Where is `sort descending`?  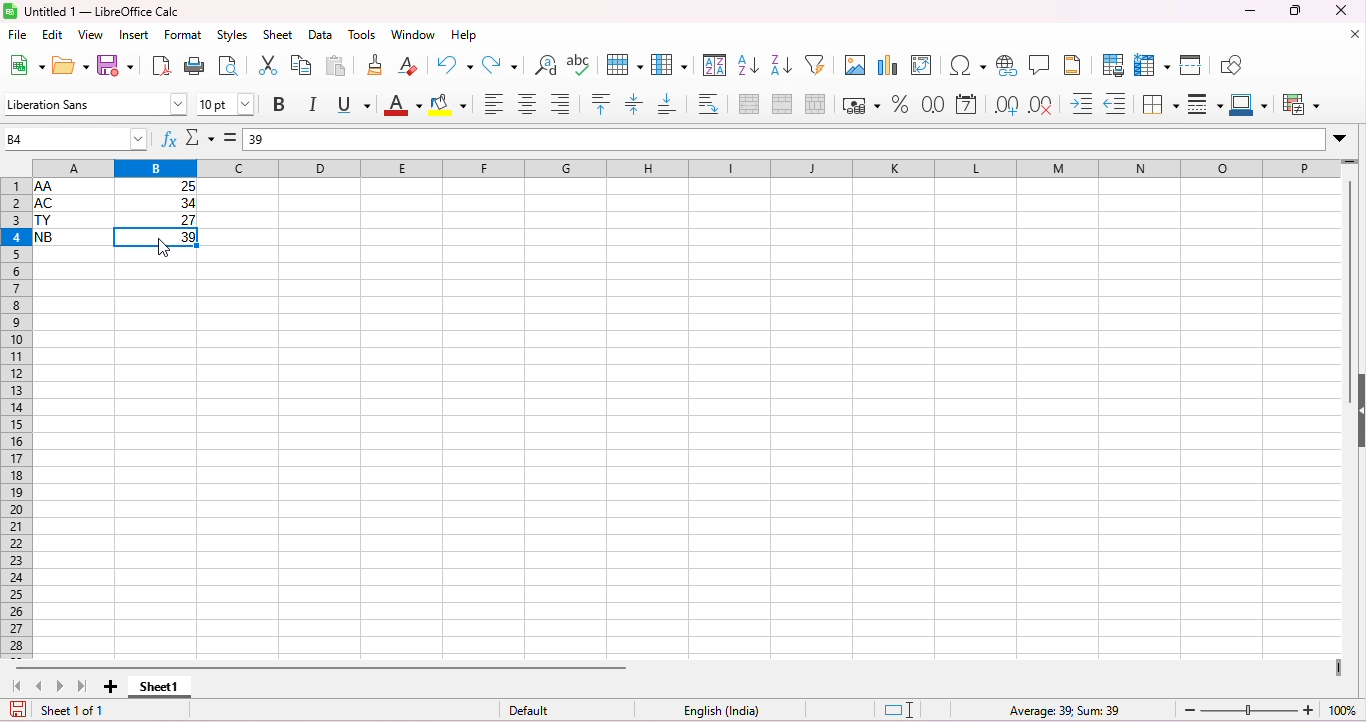 sort descending is located at coordinates (781, 63).